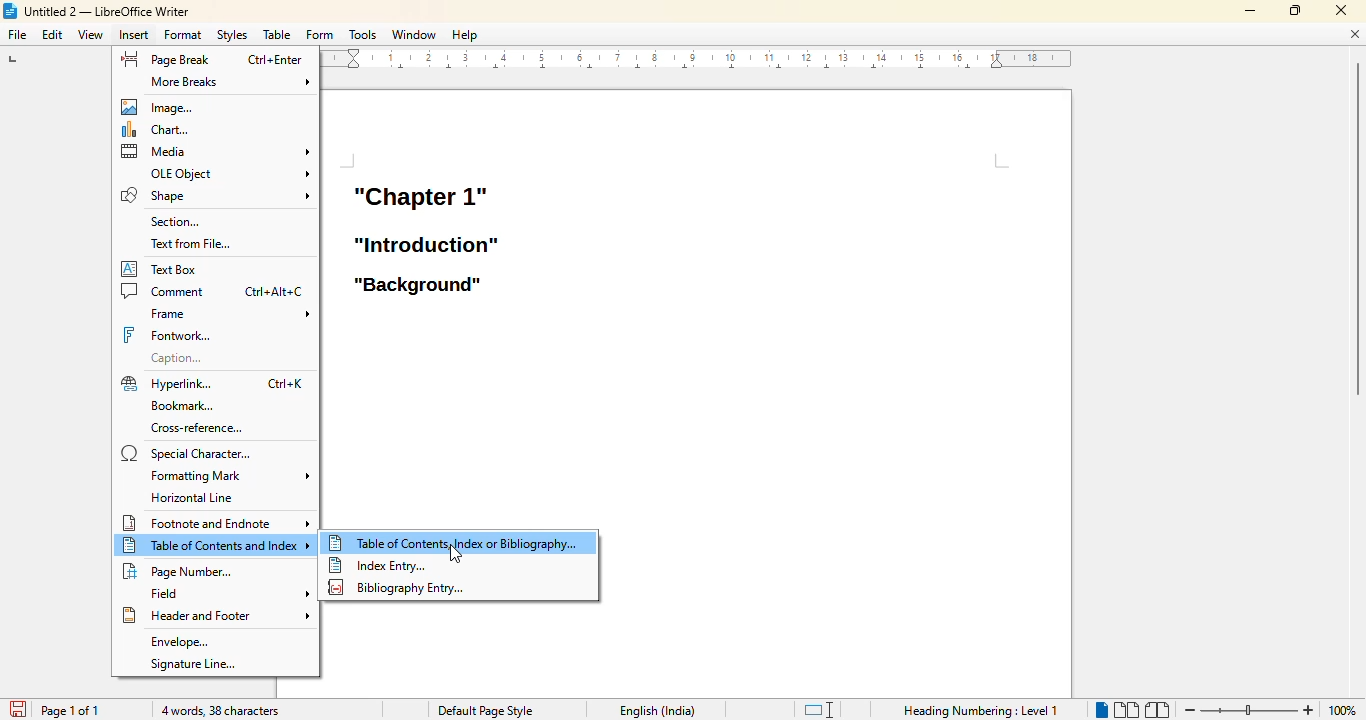 The width and height of the screenshot is (1366, 720). What do you see at coordinates (161, 269) in the screenshot?
I see `text box` at bounding box center [161, 269].